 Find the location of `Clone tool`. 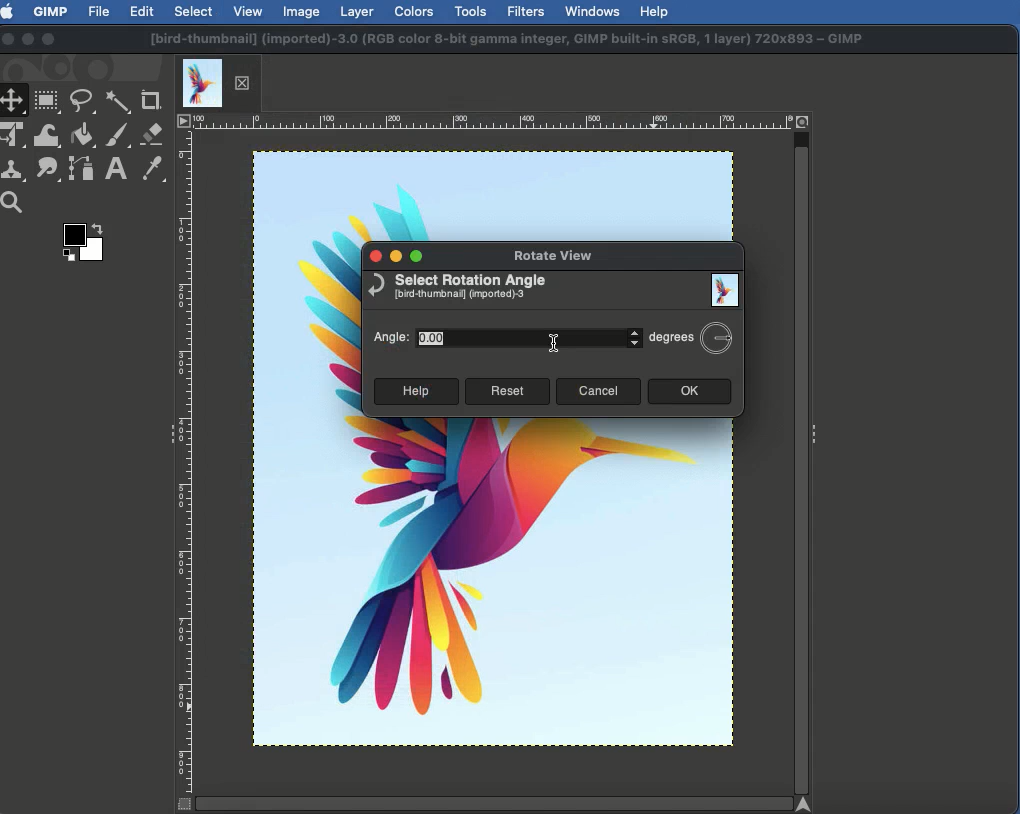

Clone tool is located at coordinates (15, 171).